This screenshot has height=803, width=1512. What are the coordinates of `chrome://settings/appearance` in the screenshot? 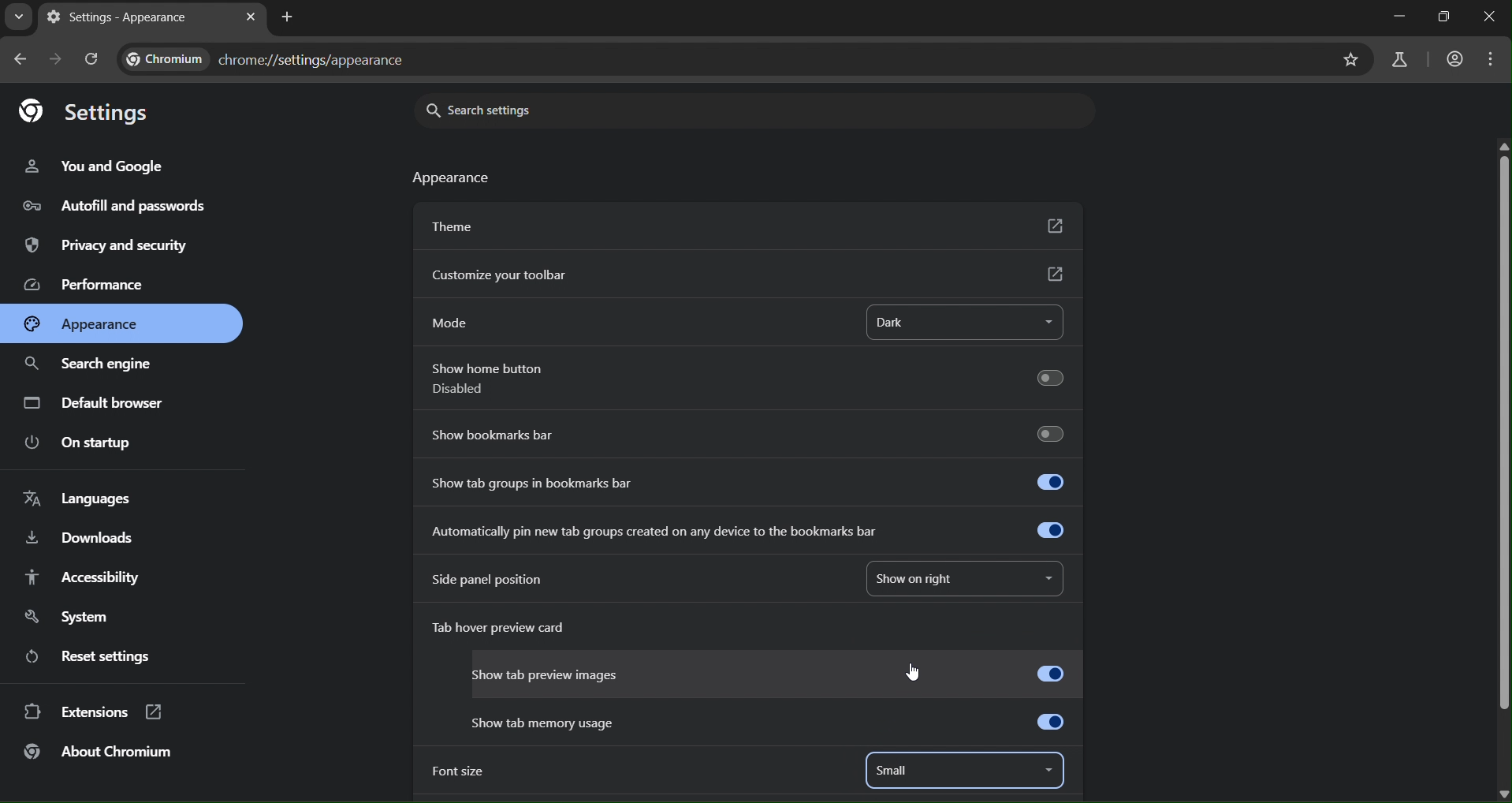 It's located at (263, 60).